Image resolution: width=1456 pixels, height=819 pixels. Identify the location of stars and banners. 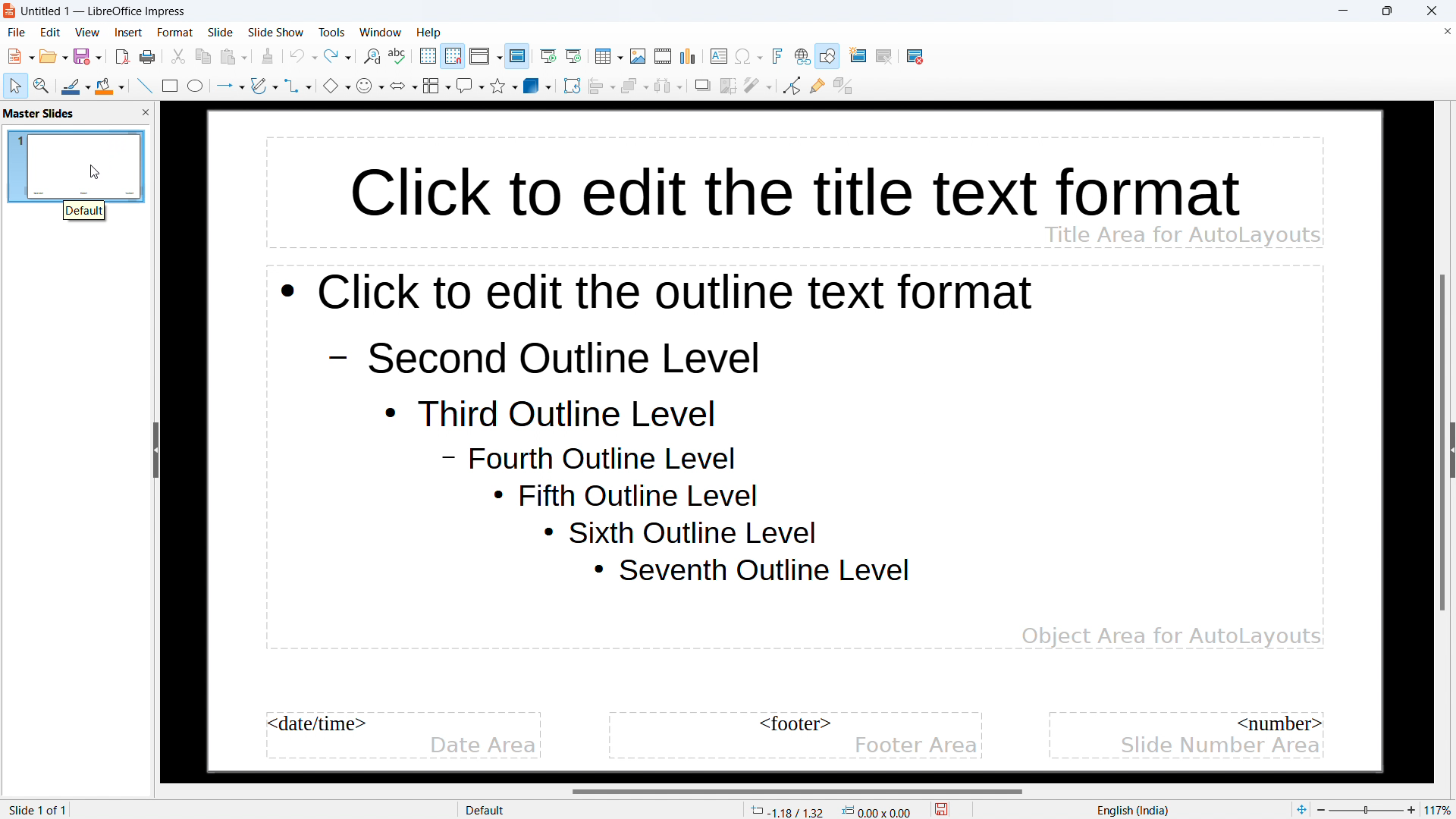
(504, 85).